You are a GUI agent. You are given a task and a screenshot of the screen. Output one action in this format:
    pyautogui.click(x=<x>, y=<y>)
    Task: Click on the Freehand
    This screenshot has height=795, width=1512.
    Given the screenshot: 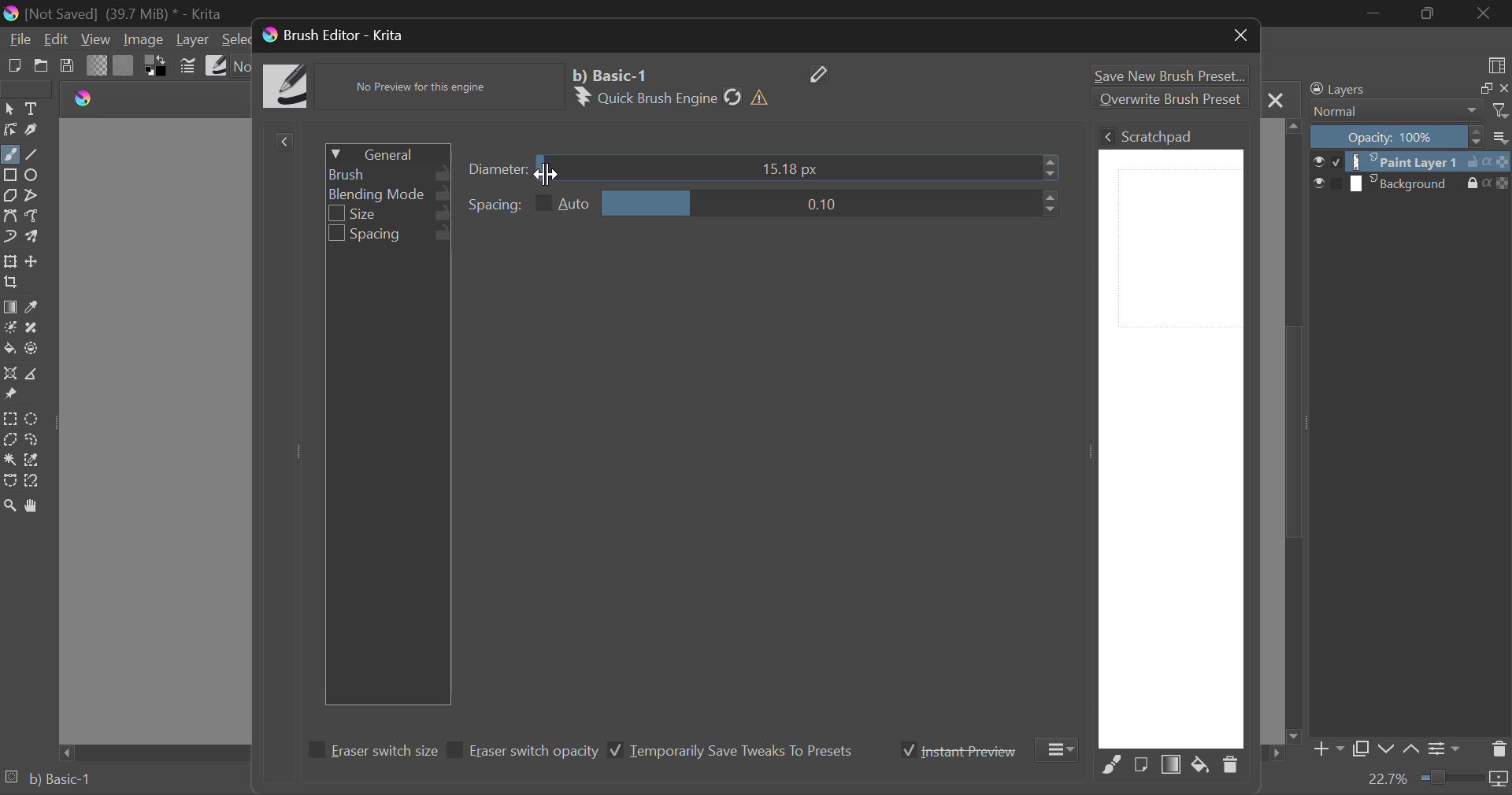 What is the action you would take?
    pyautogui.click(x=10, y=154)
    